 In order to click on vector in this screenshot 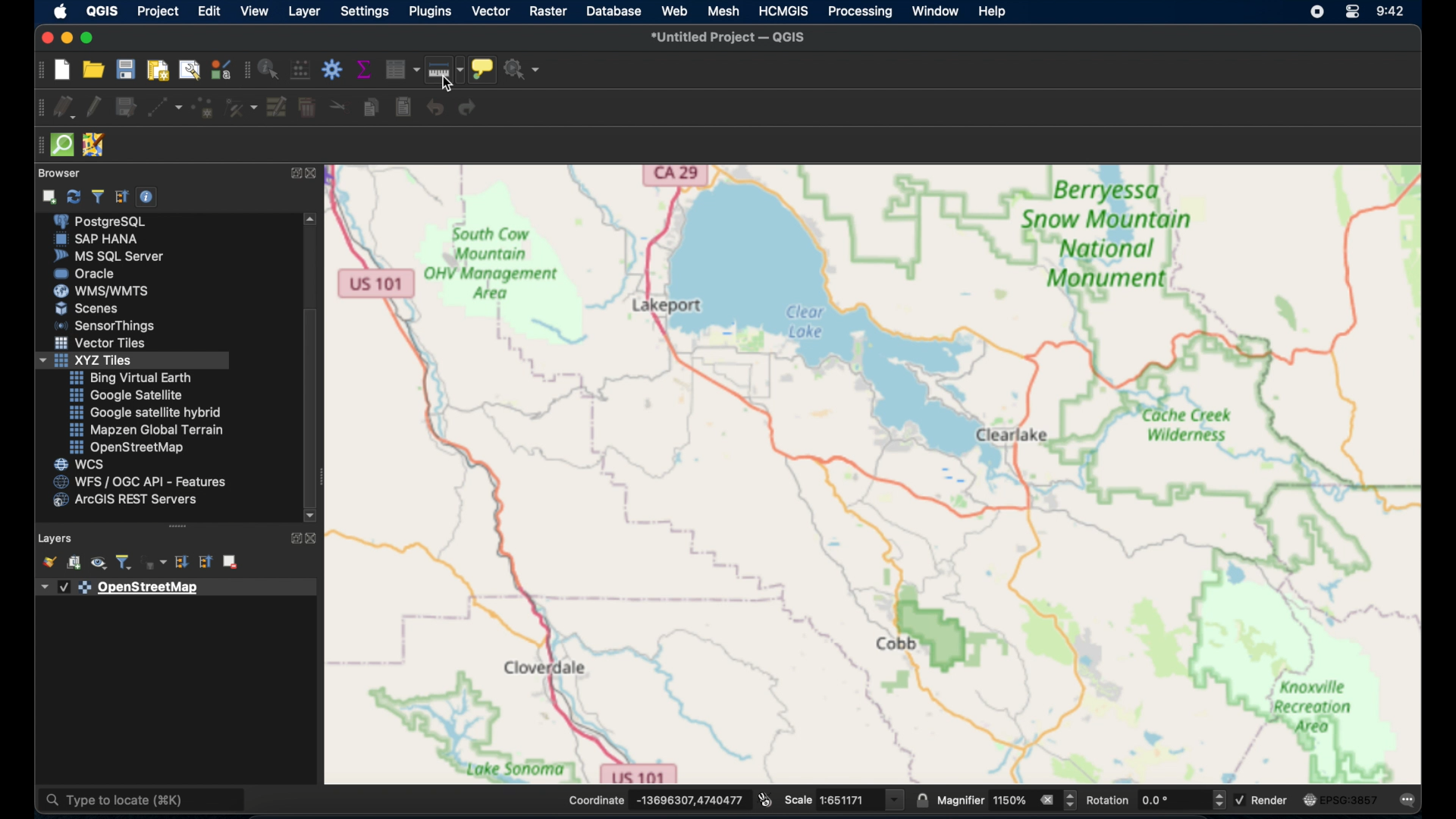, I will do `click(490, 11)`.